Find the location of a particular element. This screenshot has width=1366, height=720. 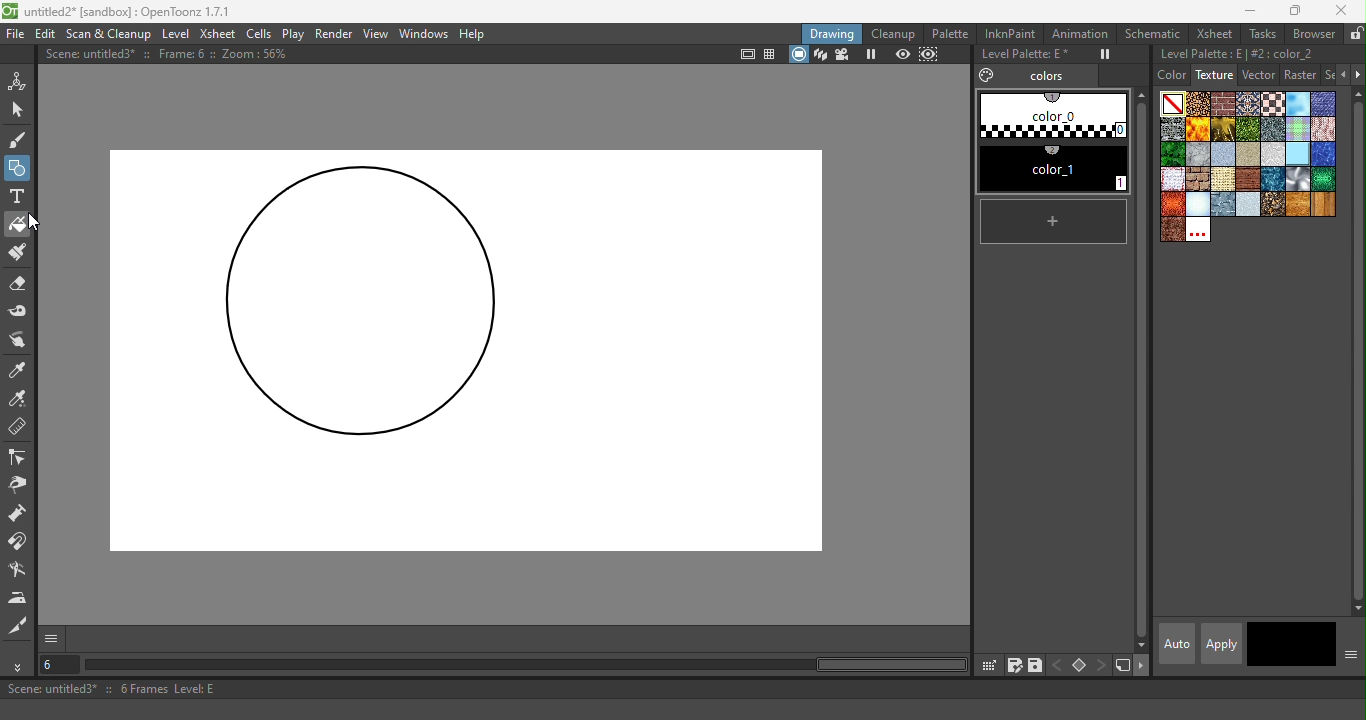

File is located at coordinates (16, 35).